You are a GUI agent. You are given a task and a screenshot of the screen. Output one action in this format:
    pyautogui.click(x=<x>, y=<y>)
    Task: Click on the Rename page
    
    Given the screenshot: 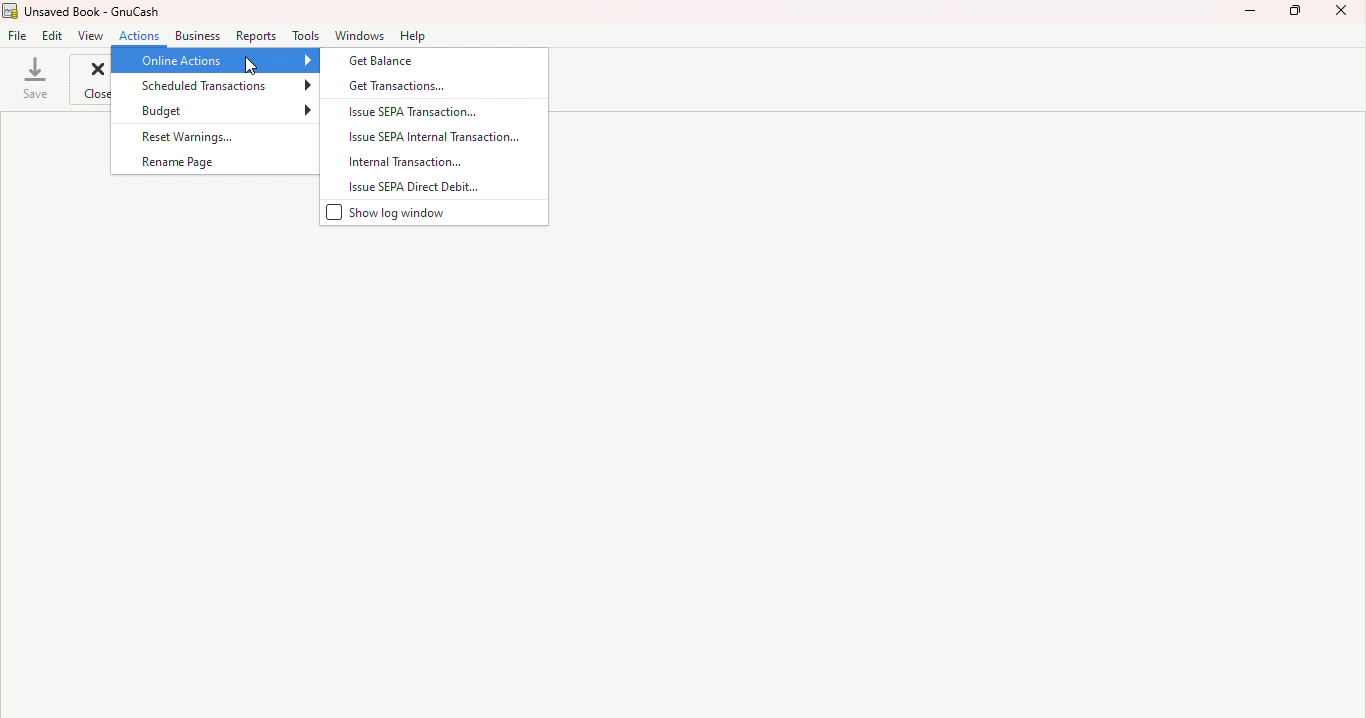 What is the action you would take?
    pyautogui.click(x=211, y=162)
    